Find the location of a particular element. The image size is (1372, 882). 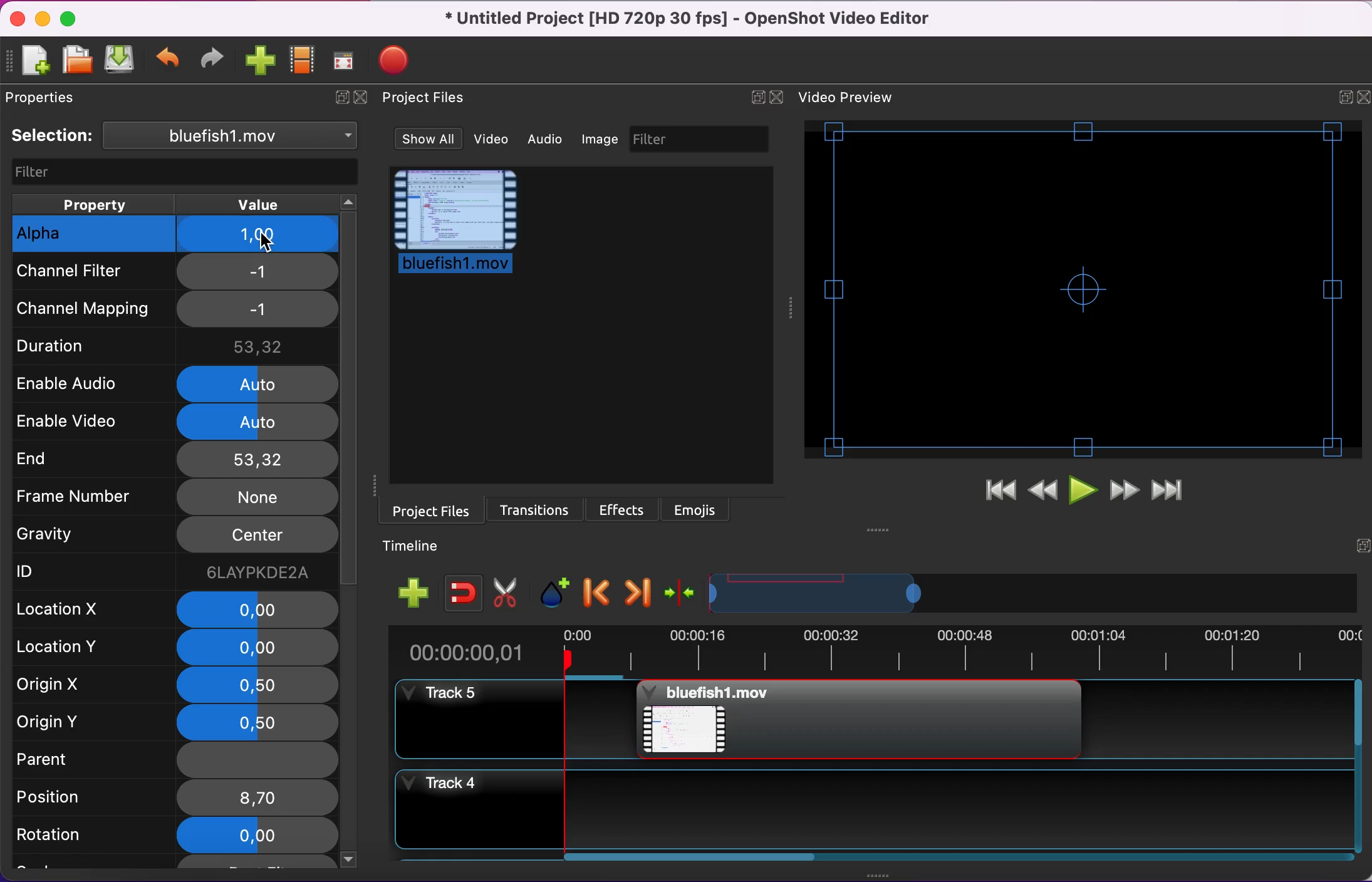

close is located at coordinates (17, 19).